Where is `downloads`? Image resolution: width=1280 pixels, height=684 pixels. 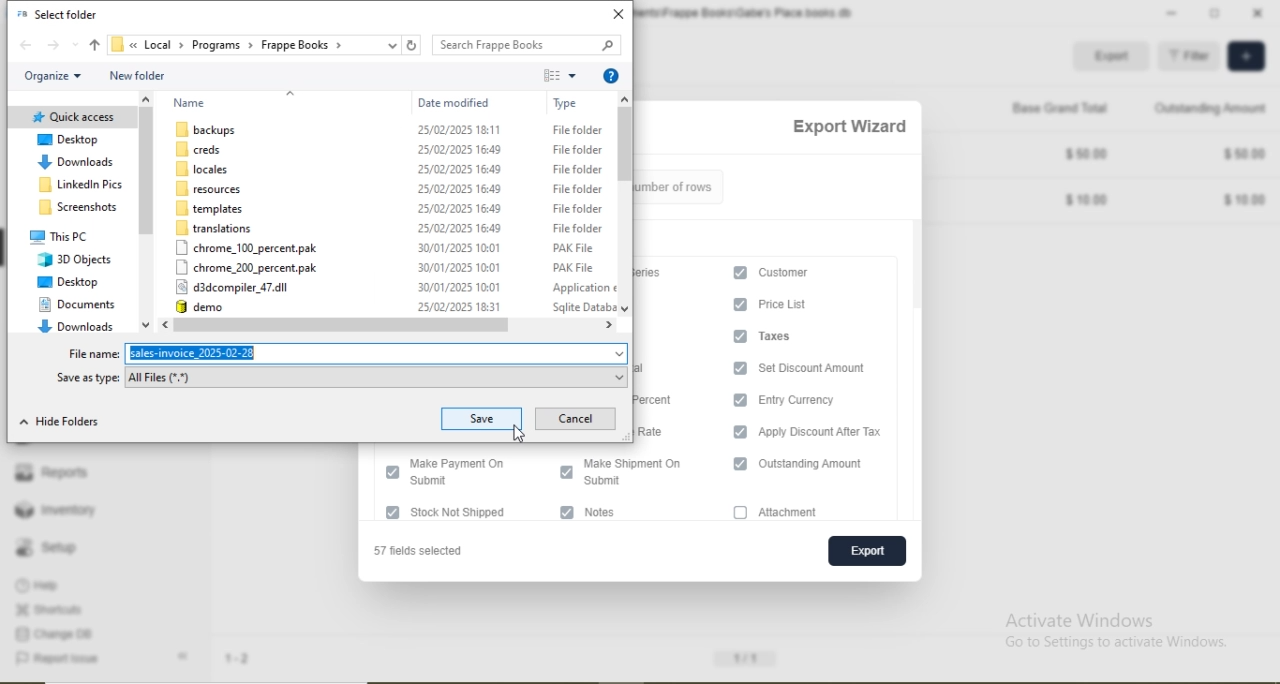 downloads is located at coordinates (73, 326).